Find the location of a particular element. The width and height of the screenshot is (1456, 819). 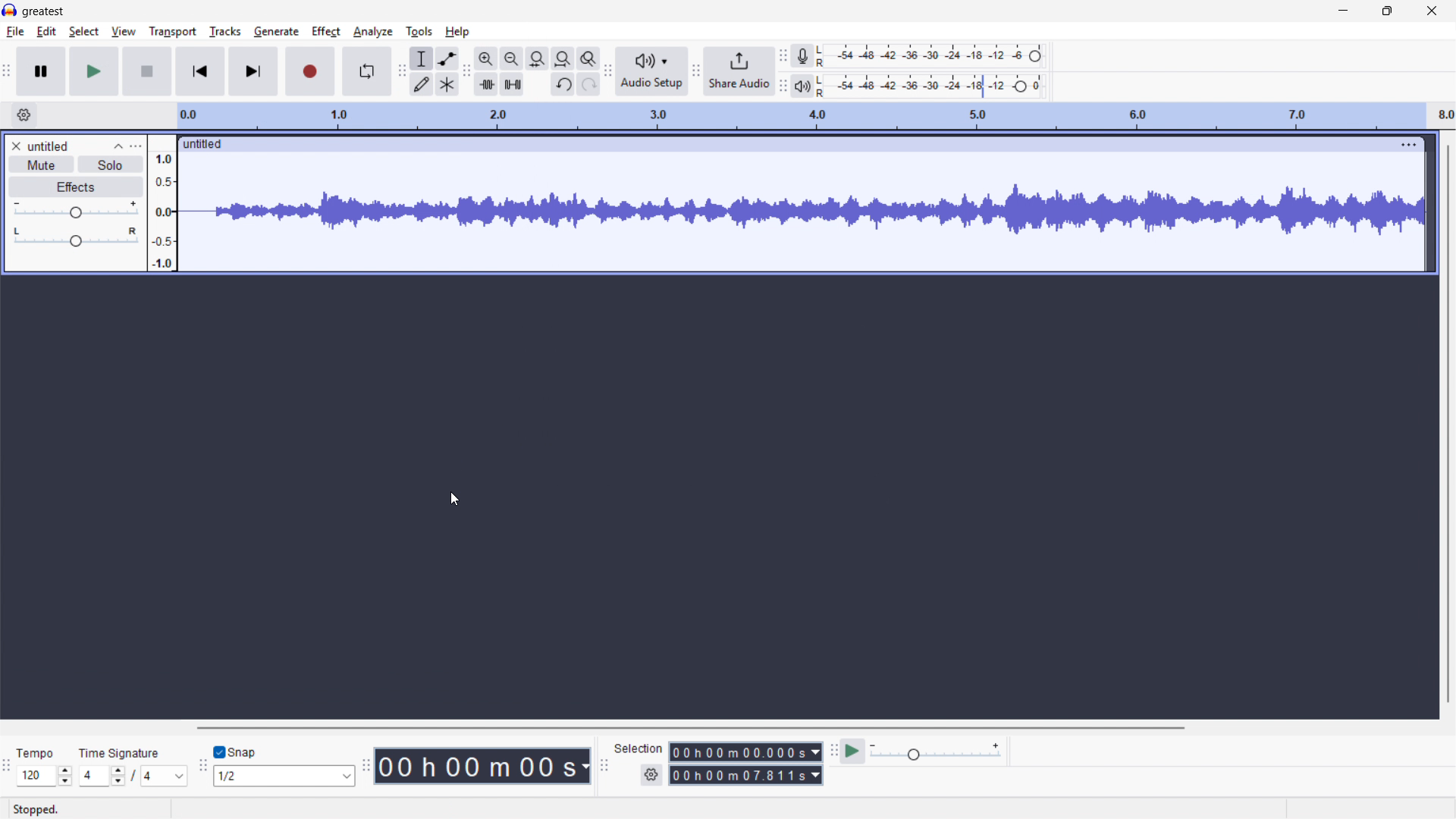

recording metre is located at coordinates (802, 56).